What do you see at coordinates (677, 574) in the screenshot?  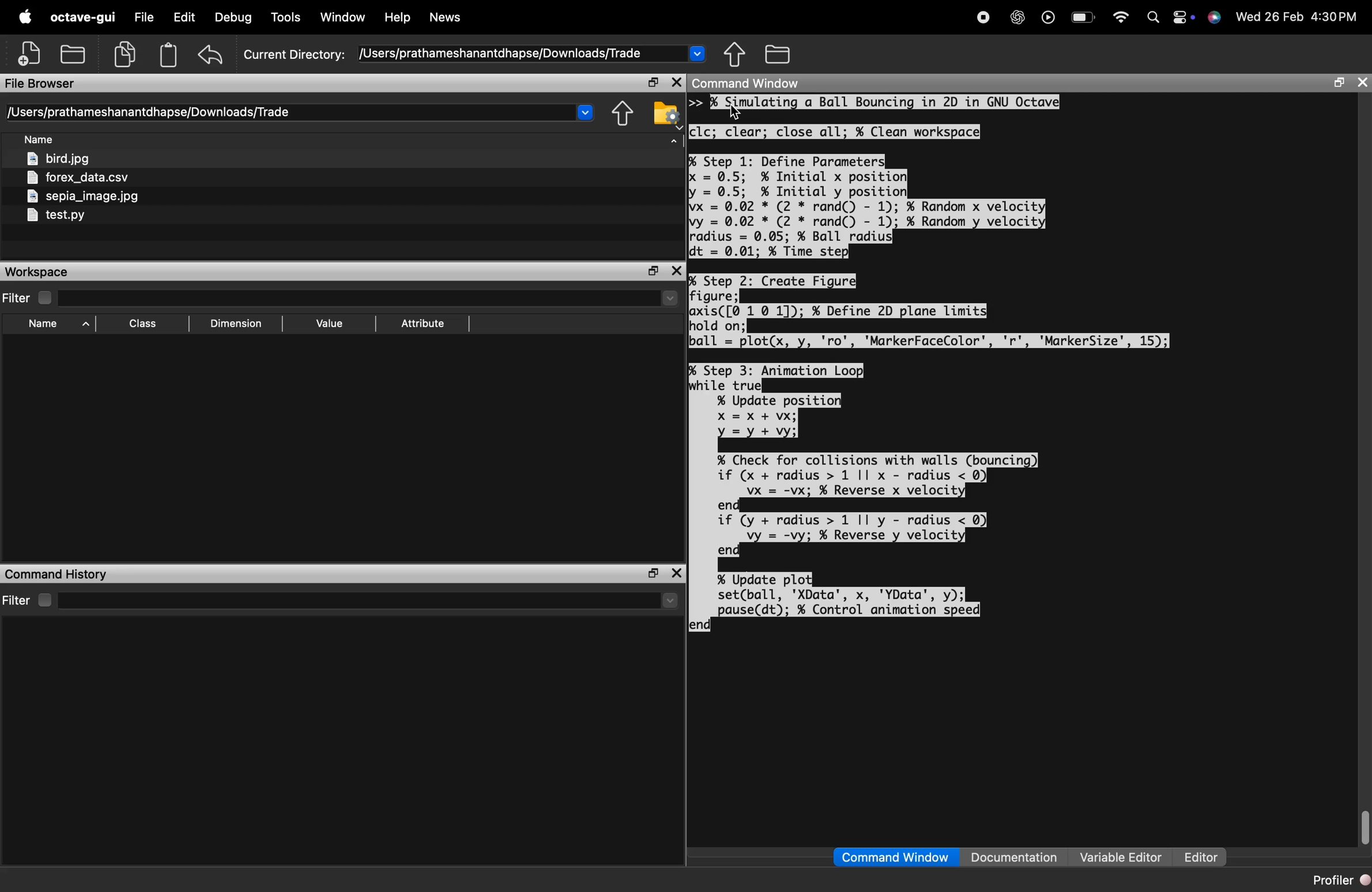 I see `close` at bounding box center [677, 574].